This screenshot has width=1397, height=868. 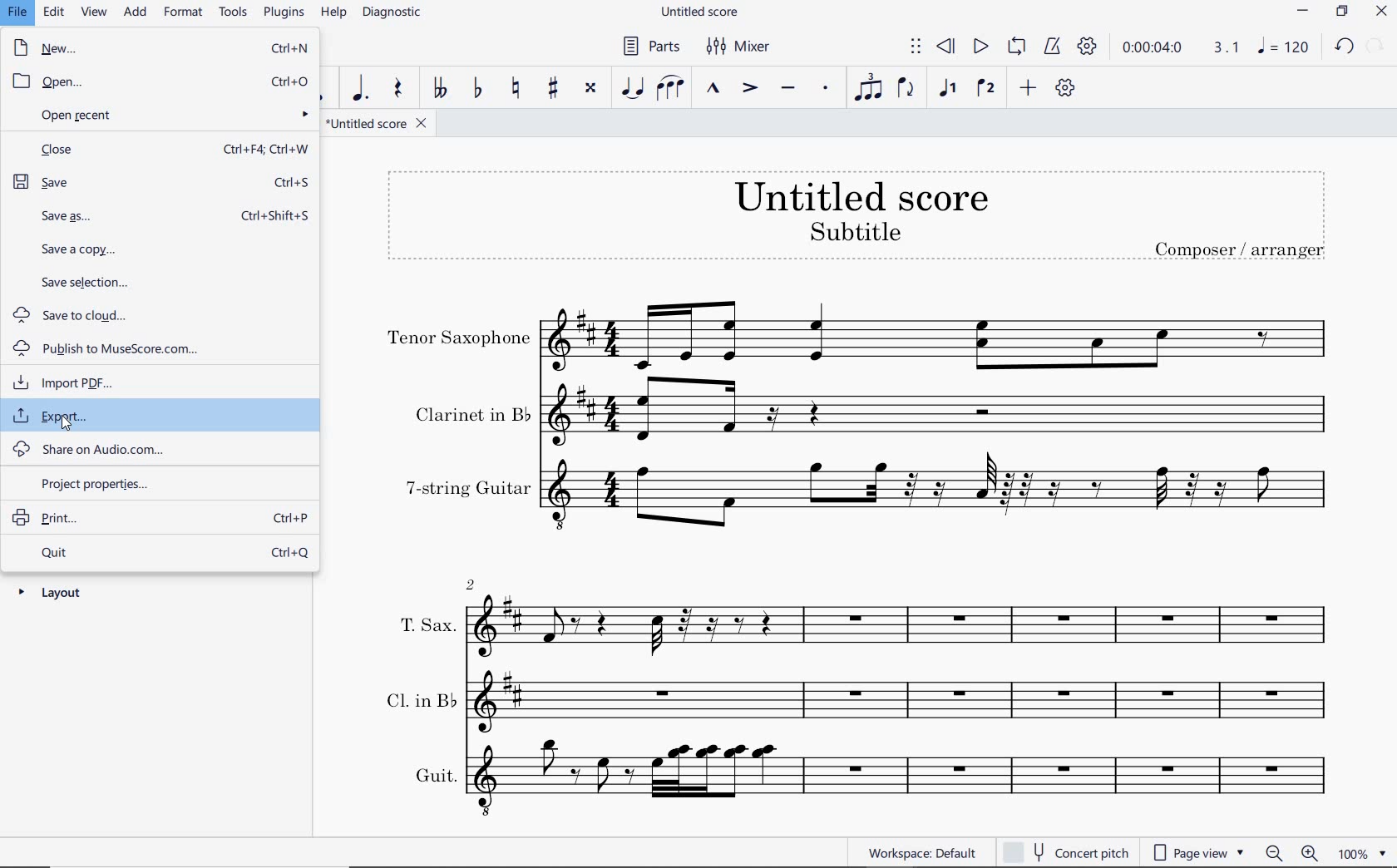 I want to click on FILE NAME, so click(x=376, y=126).